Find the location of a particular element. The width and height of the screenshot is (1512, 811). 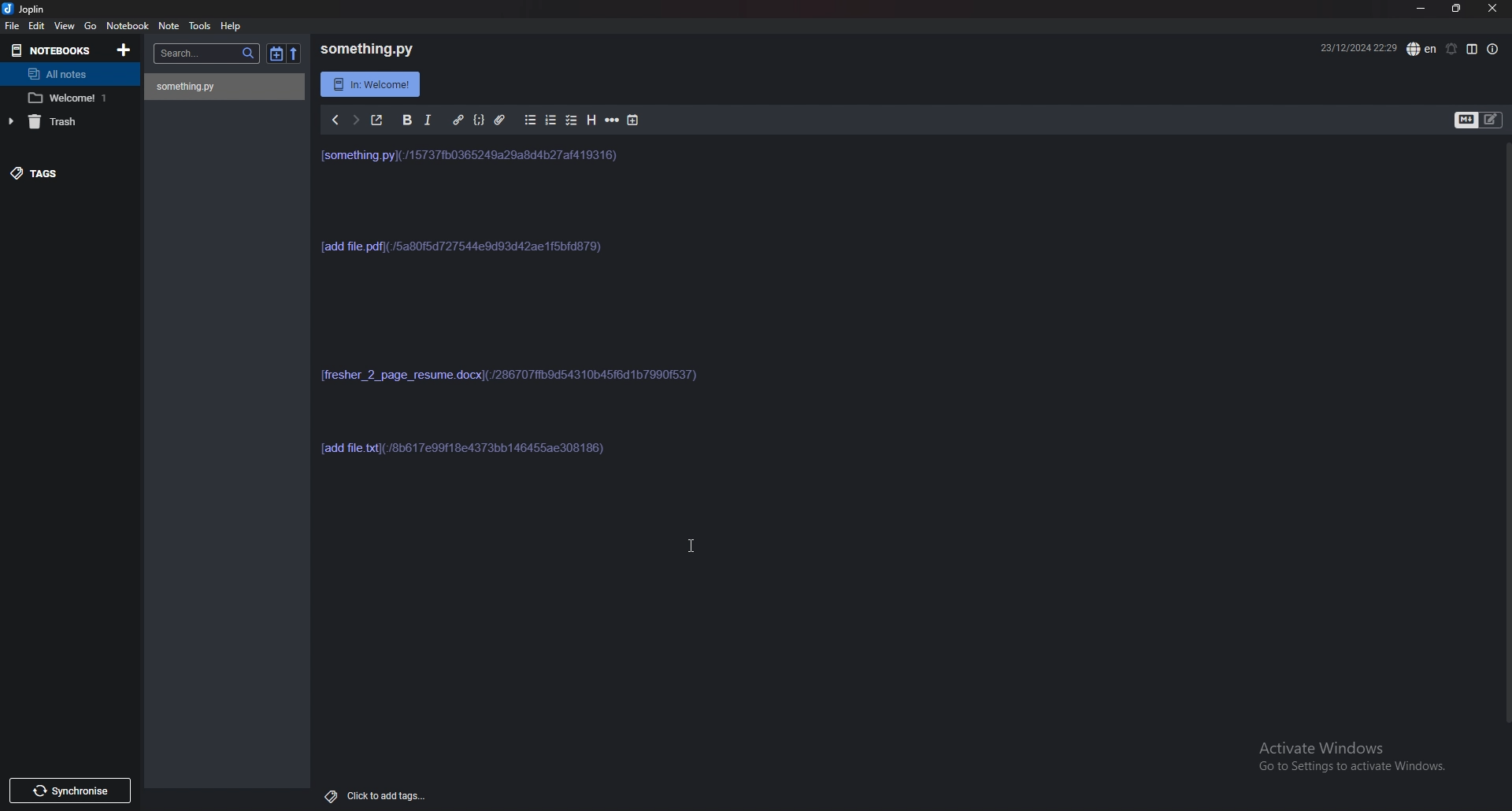

Toggle external editor is located at coordinates (375, 121).